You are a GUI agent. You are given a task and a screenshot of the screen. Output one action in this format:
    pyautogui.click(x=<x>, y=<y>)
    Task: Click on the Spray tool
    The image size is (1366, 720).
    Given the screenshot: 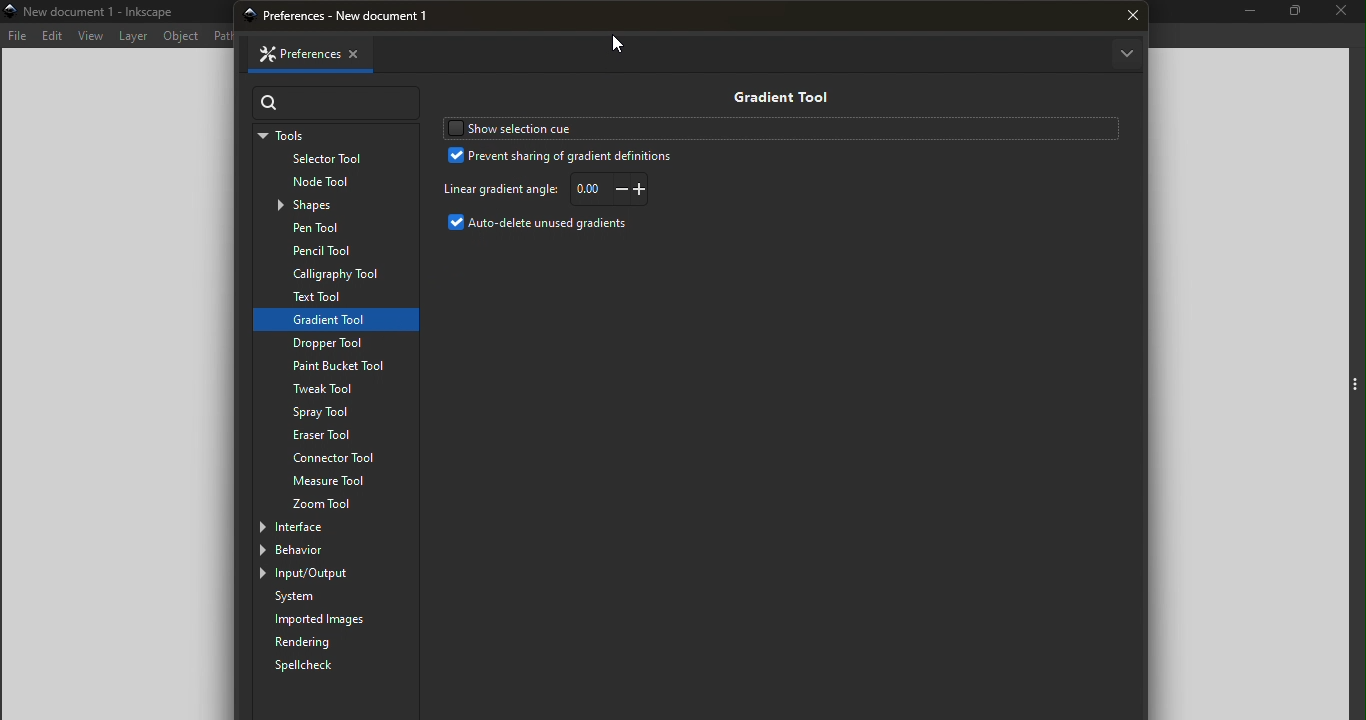 What is the action you would take?
    pyautogui.click(x=327, y=413)
    